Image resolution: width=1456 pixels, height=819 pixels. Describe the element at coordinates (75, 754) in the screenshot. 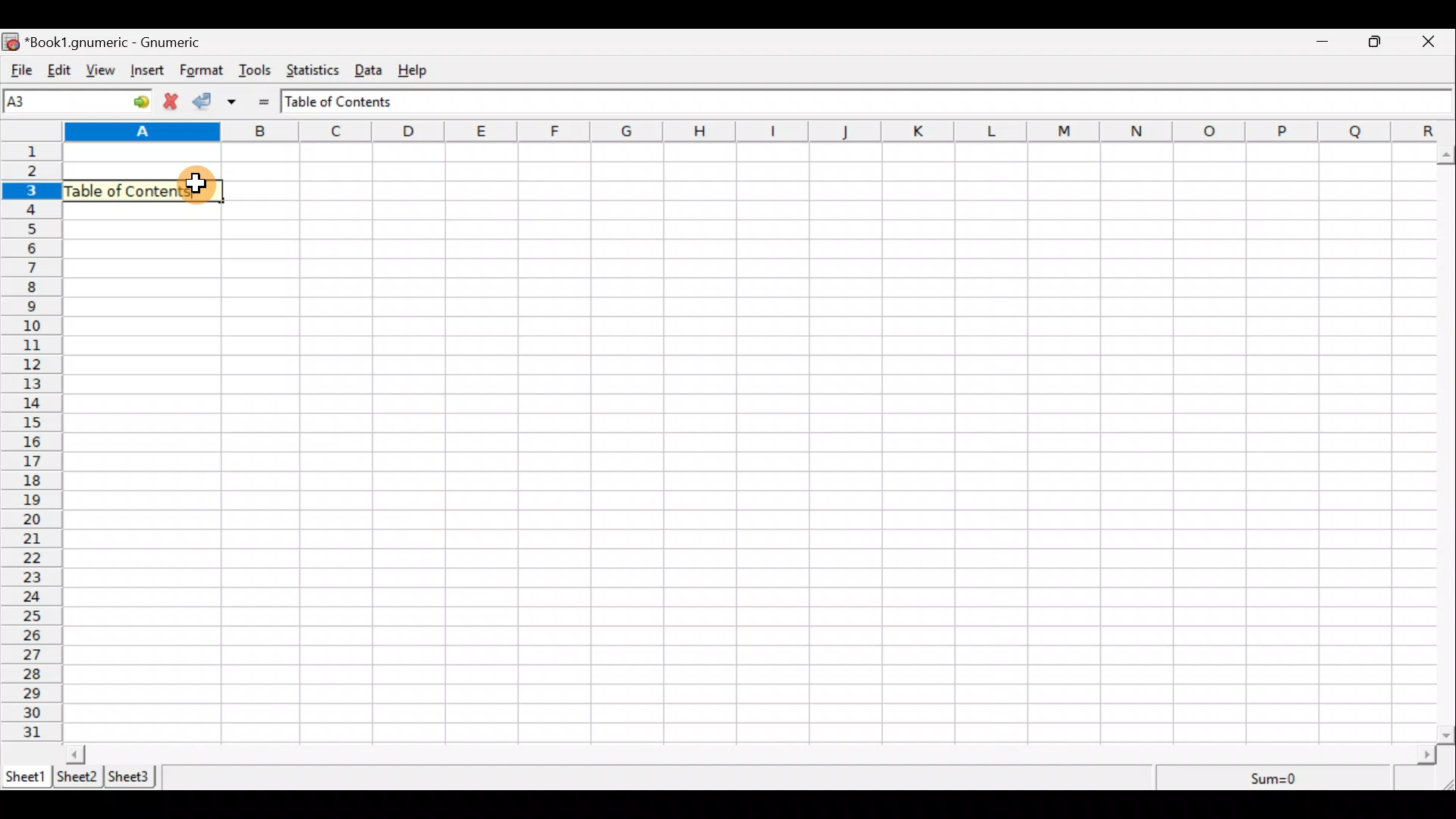

I see `scroll left` at that location.